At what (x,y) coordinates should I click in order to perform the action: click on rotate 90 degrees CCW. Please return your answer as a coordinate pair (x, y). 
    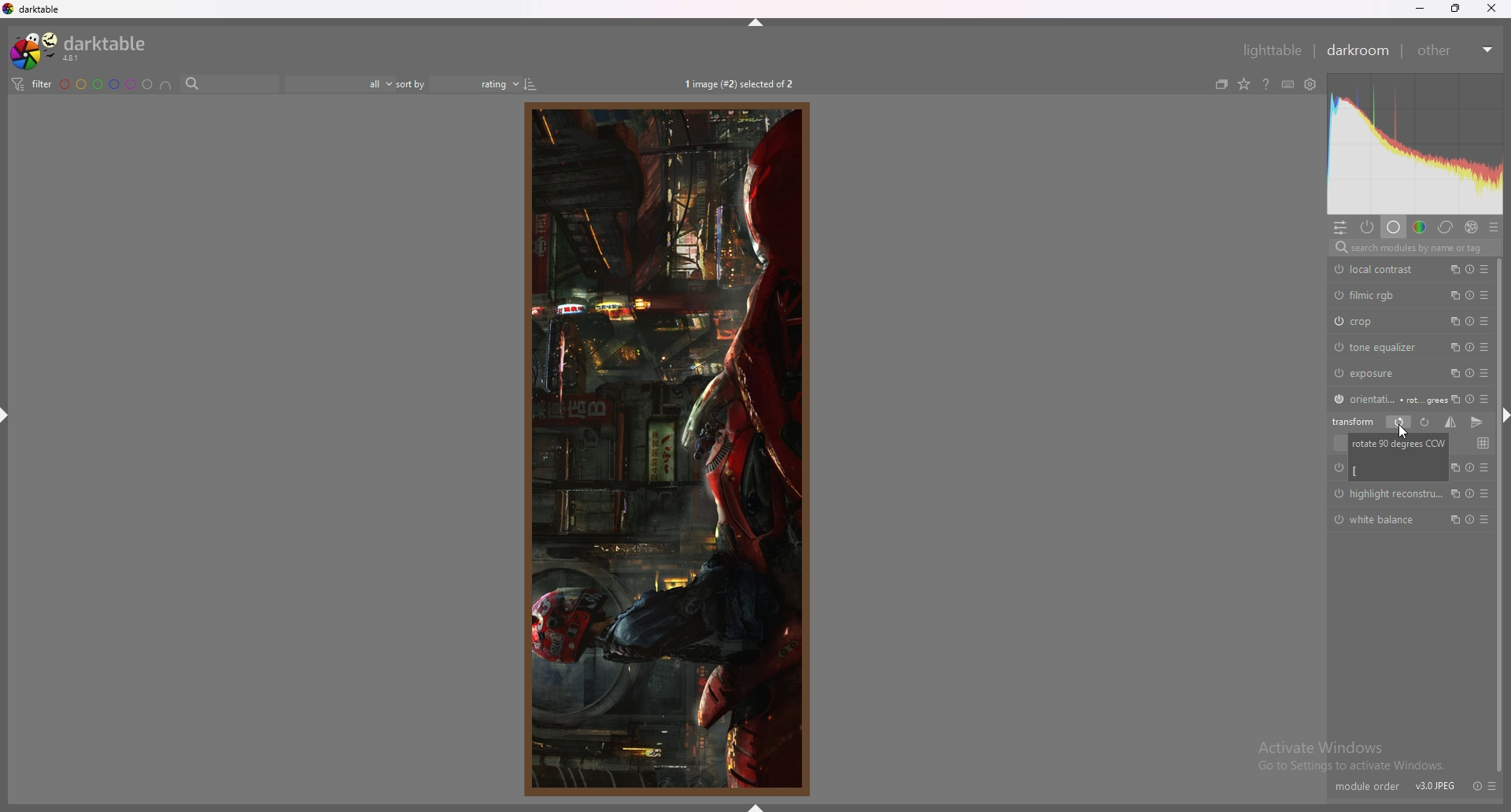
    Looking at the image, I should click on (1399, 457).